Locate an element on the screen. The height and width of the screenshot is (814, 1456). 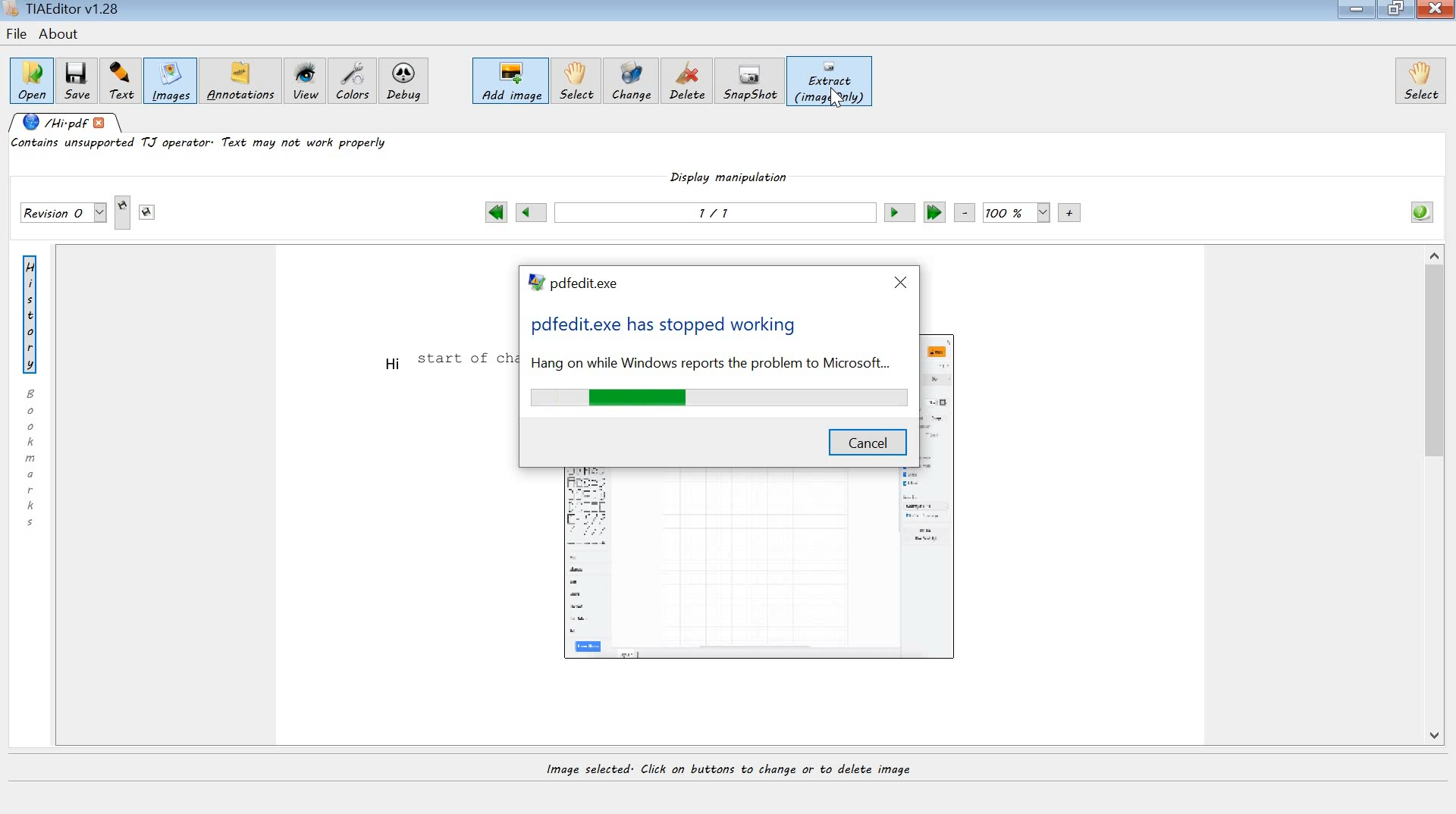
text is located at coordinates (445, 362).